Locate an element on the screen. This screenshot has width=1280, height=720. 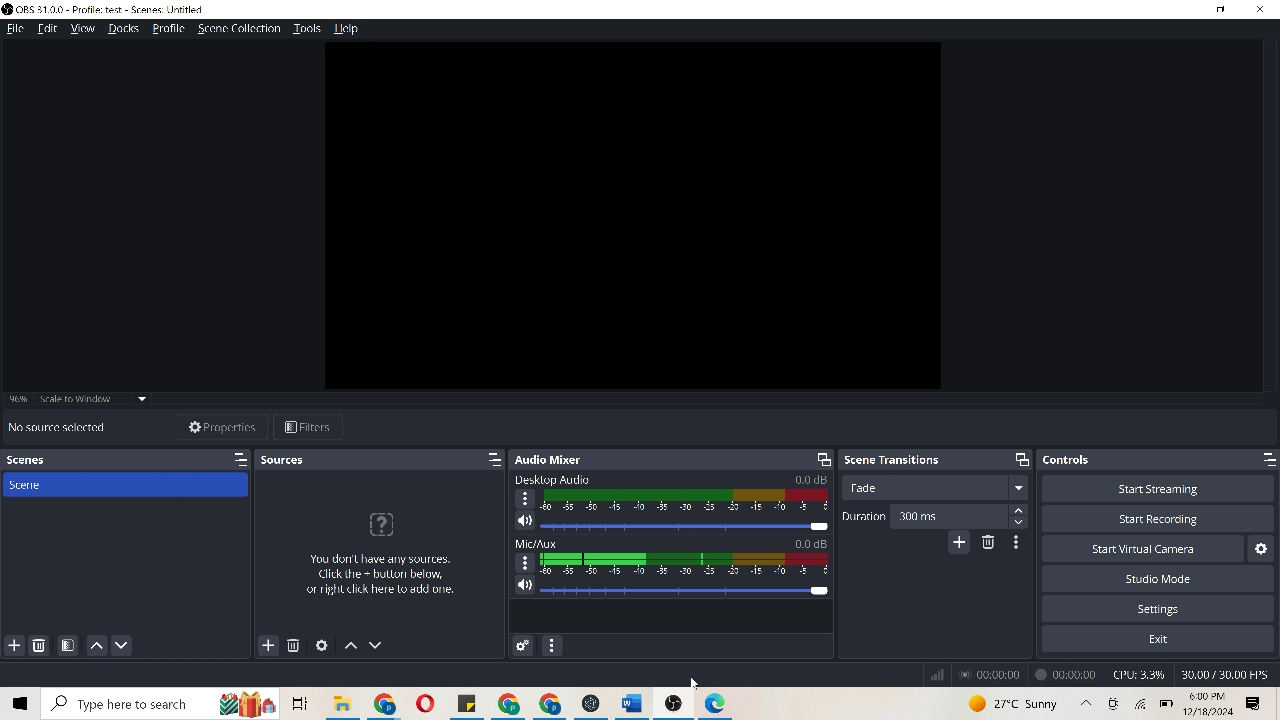
0.0 dB is located at coordinates (813, 544).